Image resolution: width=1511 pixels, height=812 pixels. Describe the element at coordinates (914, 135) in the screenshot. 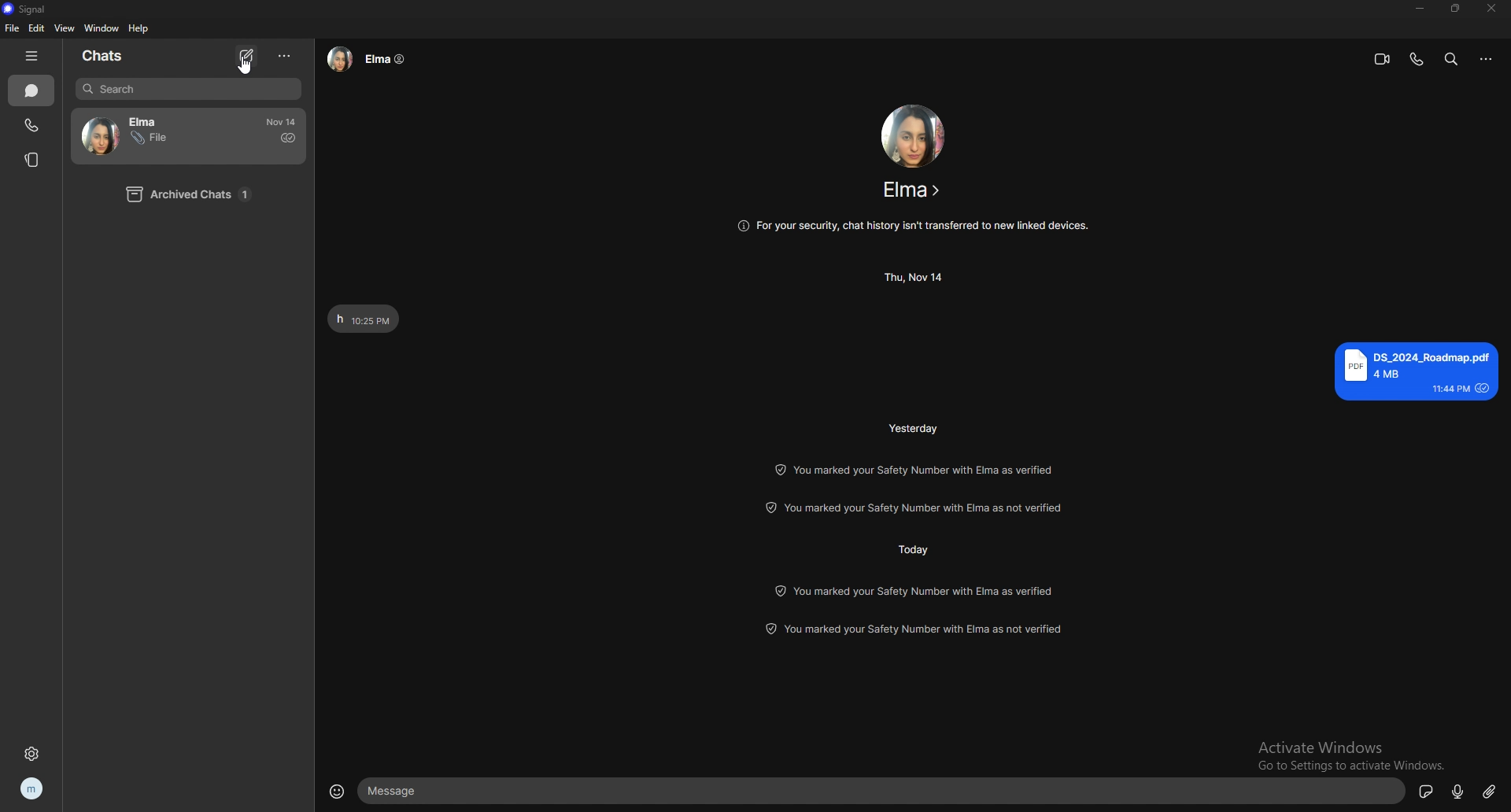

I see `contact photo` at that location.